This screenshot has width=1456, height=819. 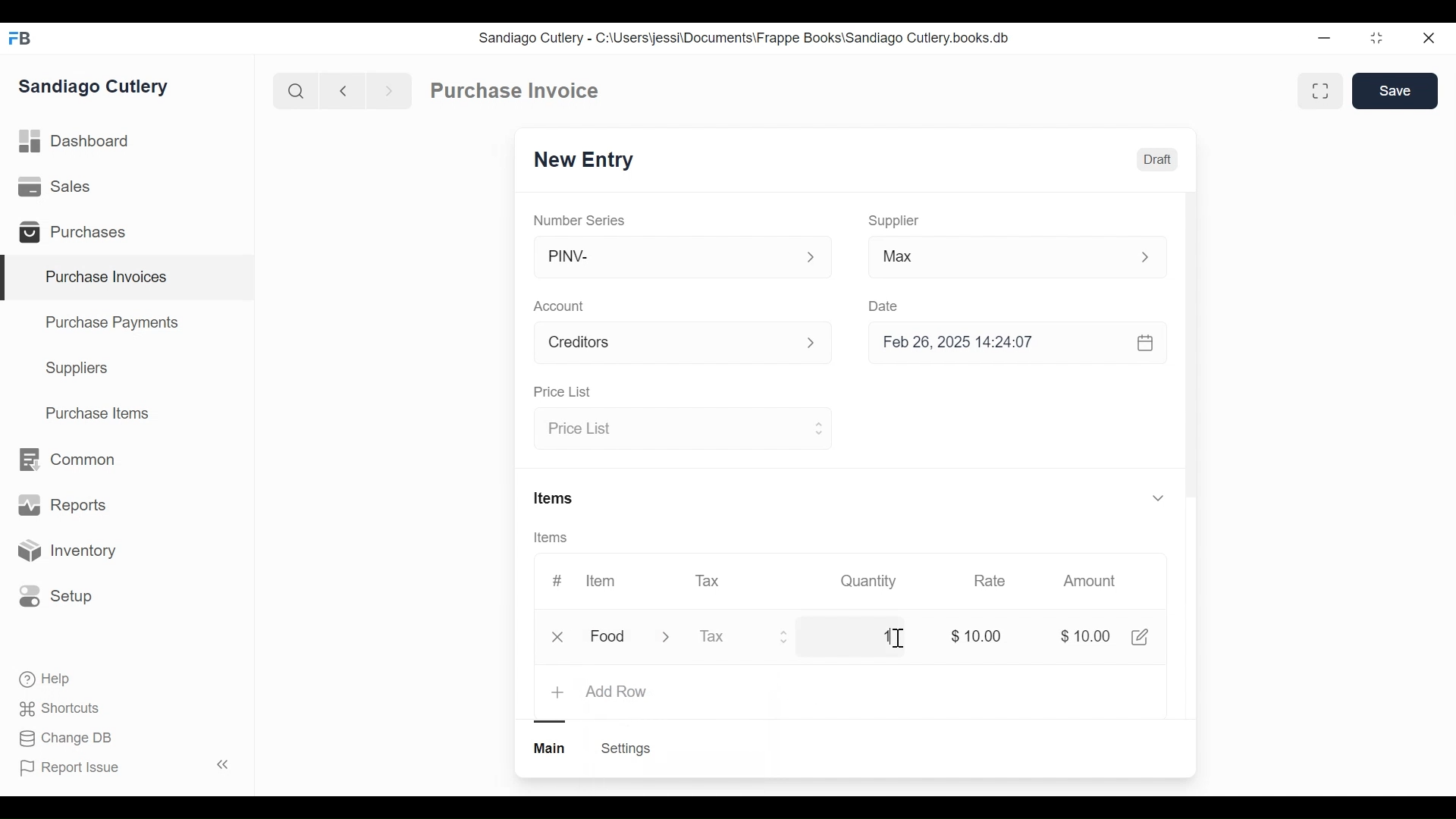 I want to click on Toggle between form and full view, so click(x=1321, y=91).